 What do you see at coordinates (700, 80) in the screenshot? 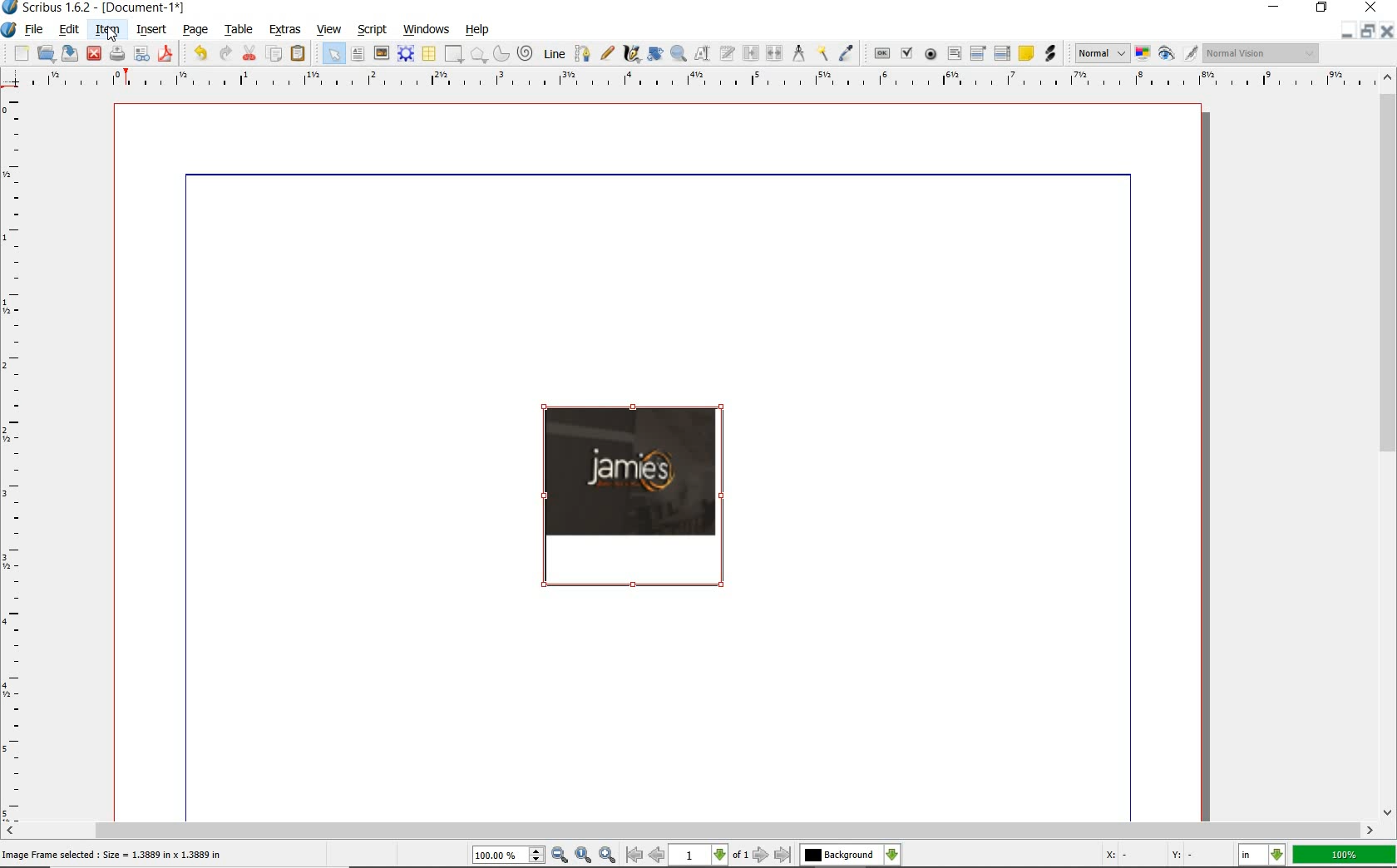
I see `Horizontal Margin` at bounding box center [700, 80].